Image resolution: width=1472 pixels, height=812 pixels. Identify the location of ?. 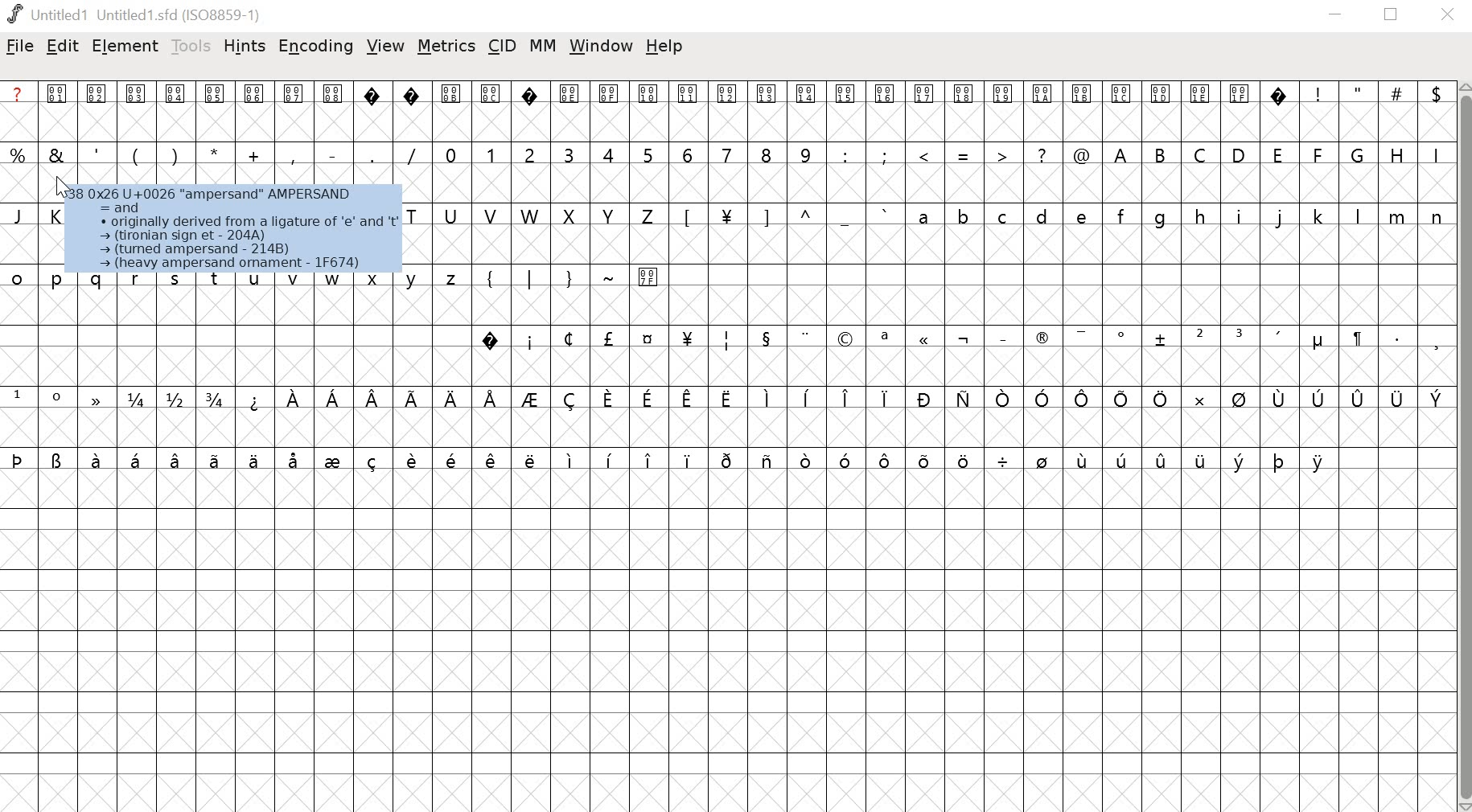
(1281, 112).